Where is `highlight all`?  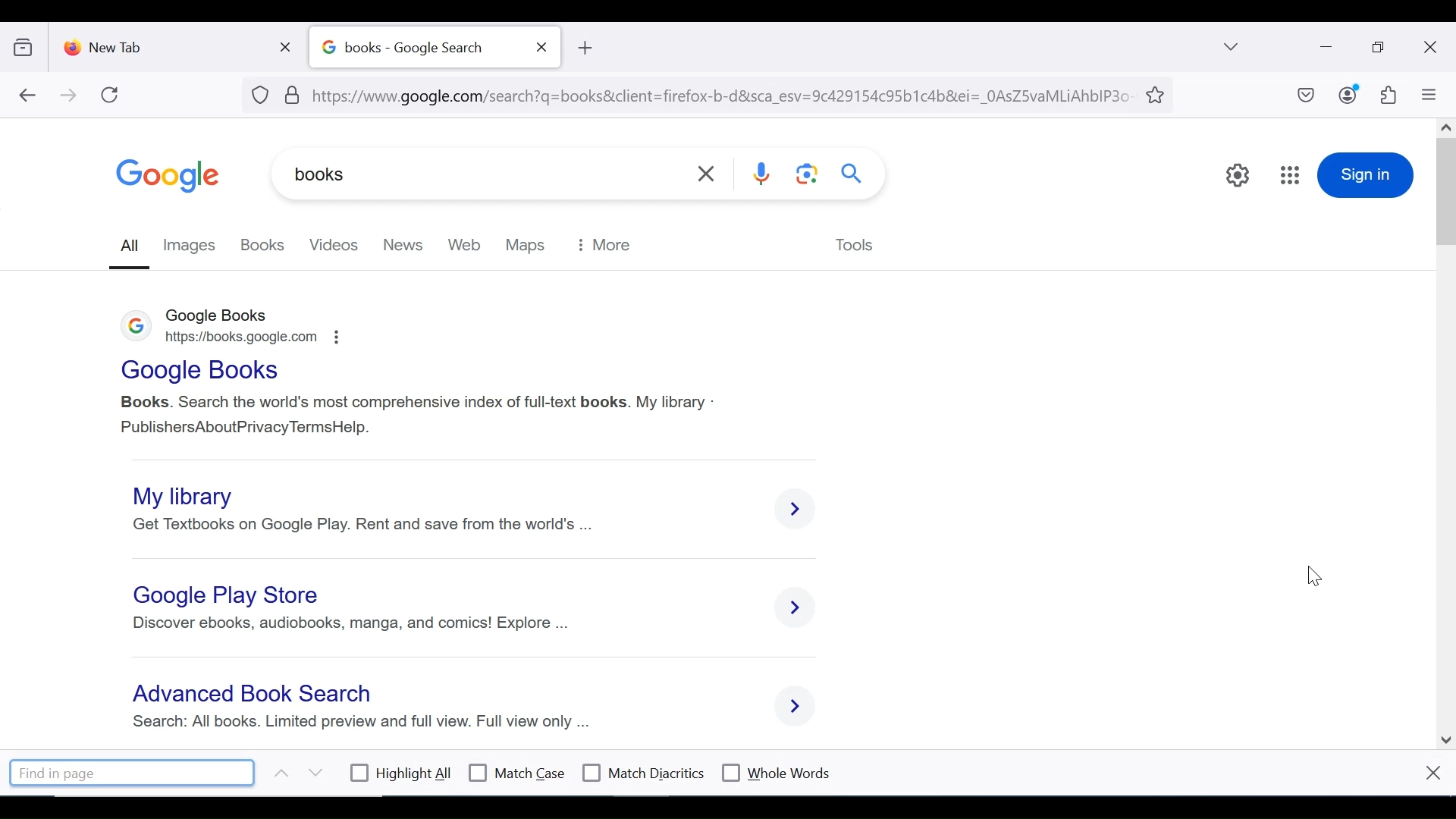 highlight all is located at coordinates (402, 775).